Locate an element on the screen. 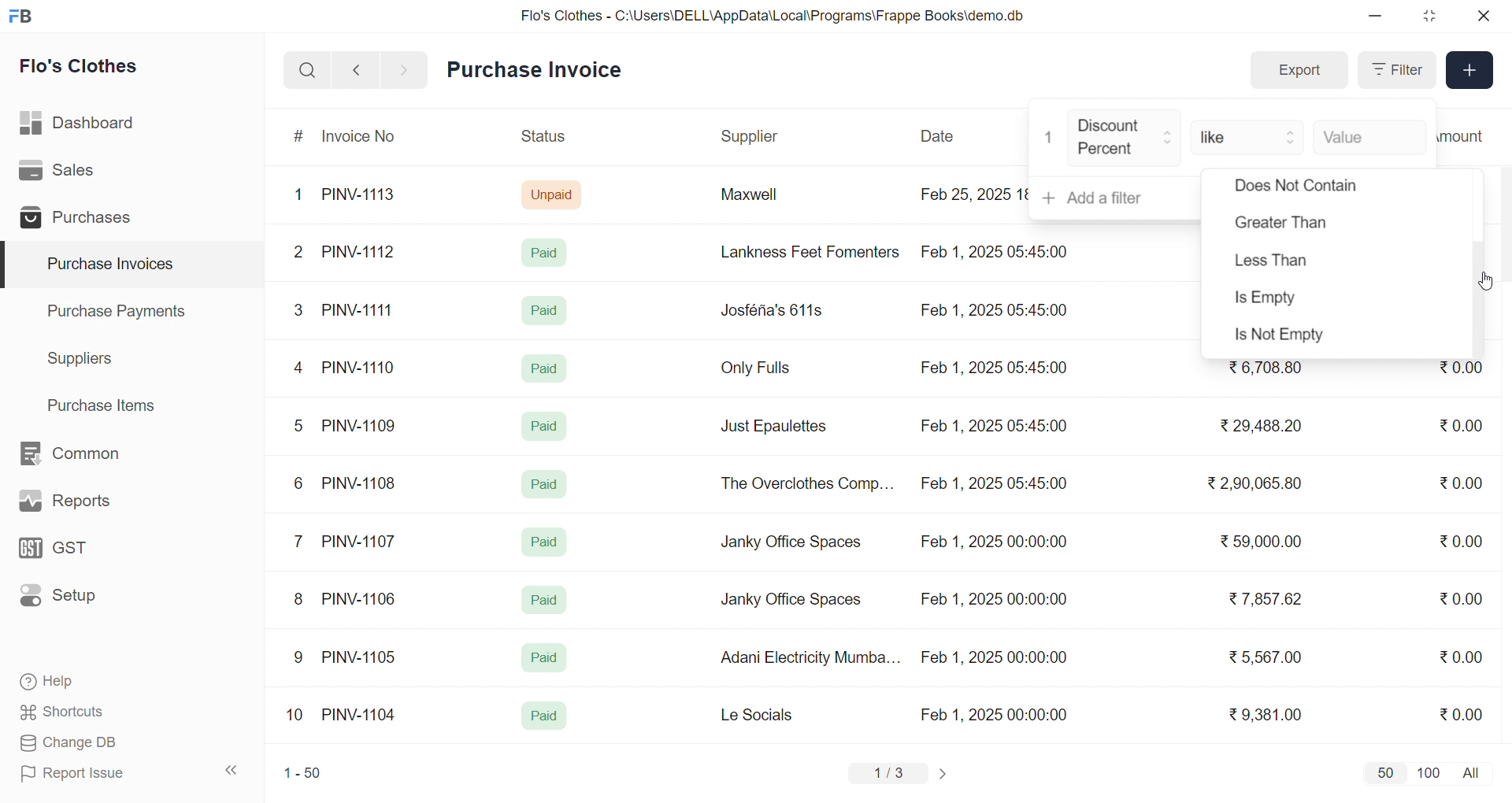 This screenshot has height=803, width=1512. cursor is located at coordinates (1488, 281).